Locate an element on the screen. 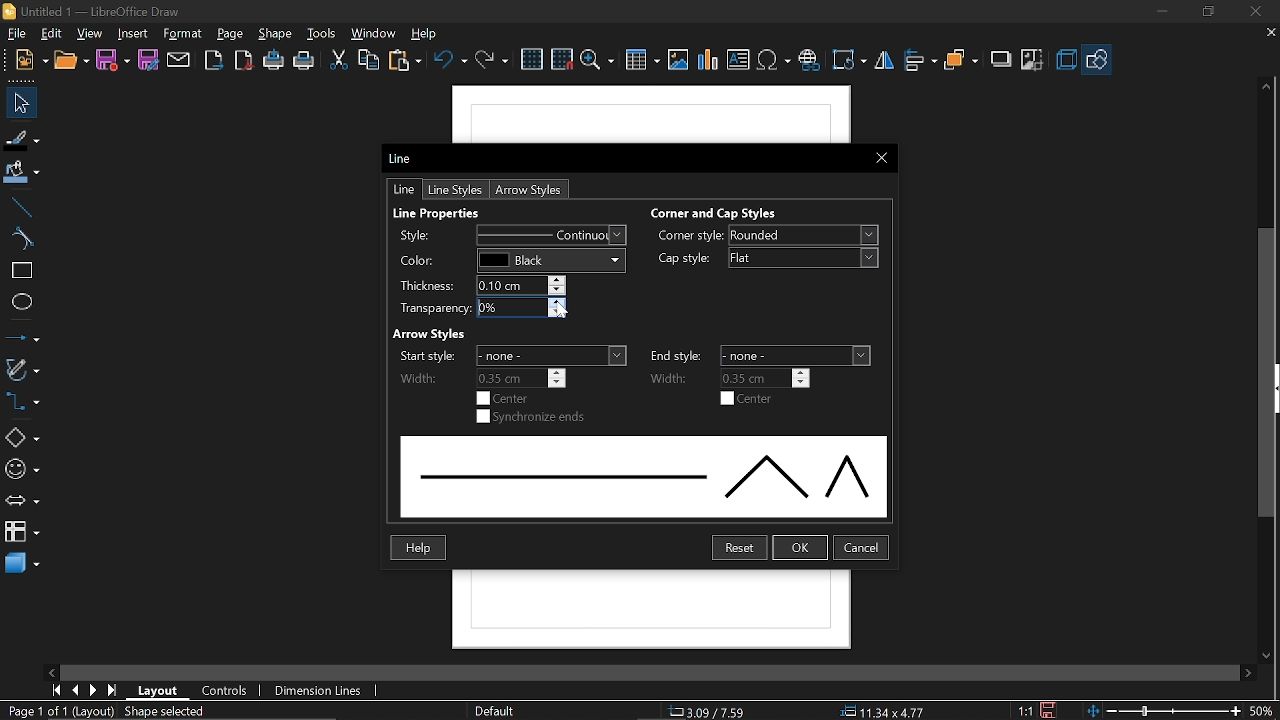  change zoom is located at coordinates (1162, 711).